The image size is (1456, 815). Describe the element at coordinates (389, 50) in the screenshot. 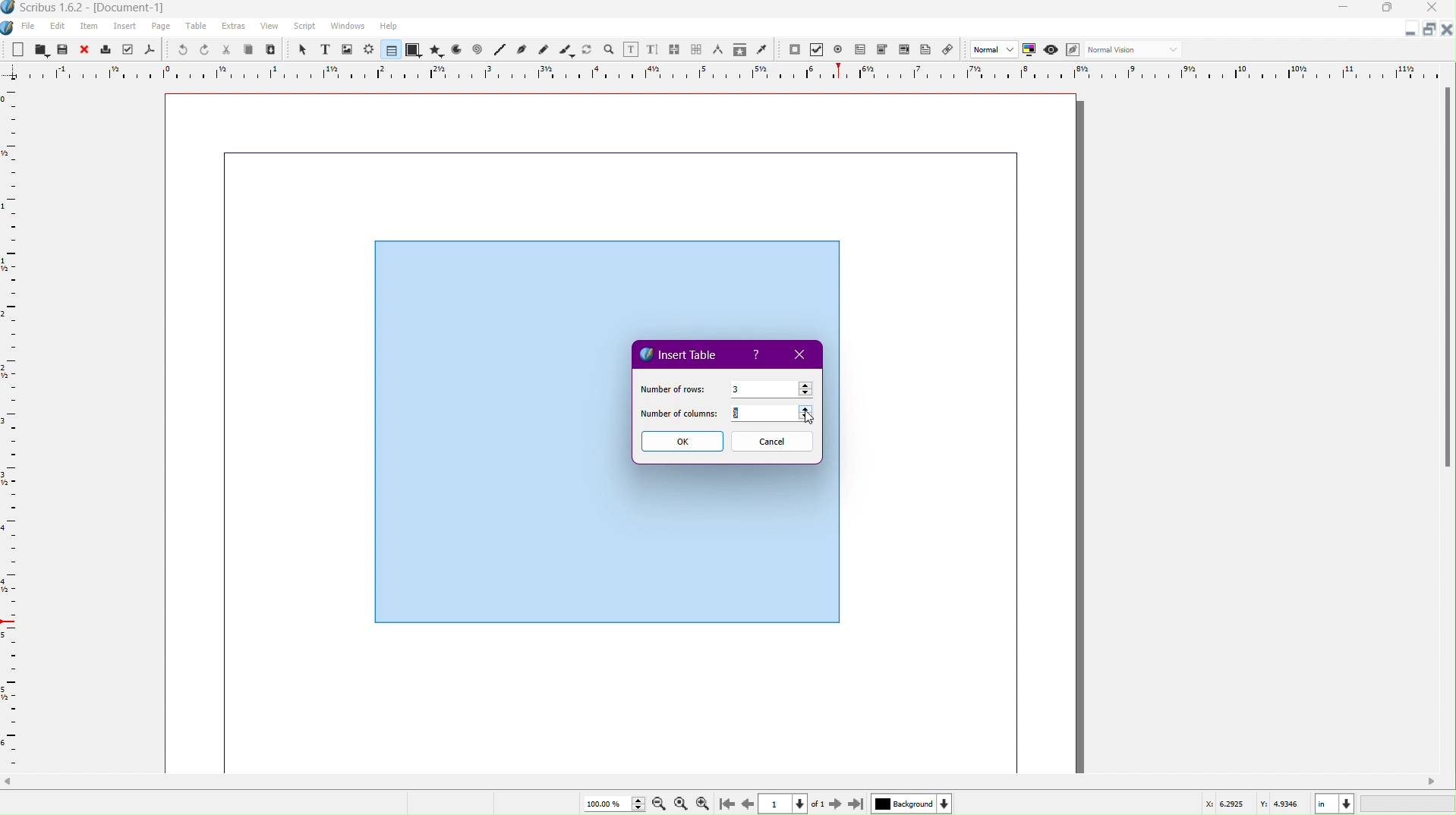

I see `Table` at that location.